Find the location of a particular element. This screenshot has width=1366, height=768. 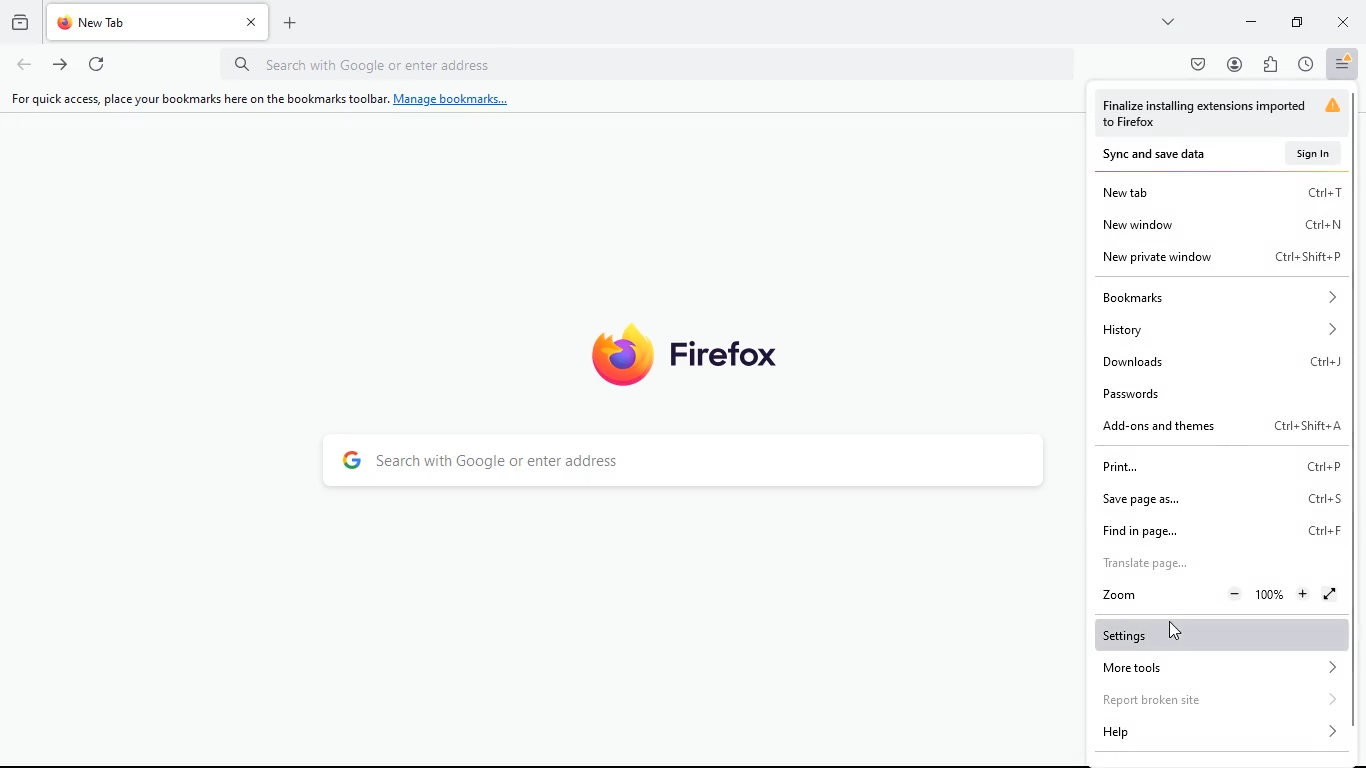

passwords is located at coordinates (1222, 391).